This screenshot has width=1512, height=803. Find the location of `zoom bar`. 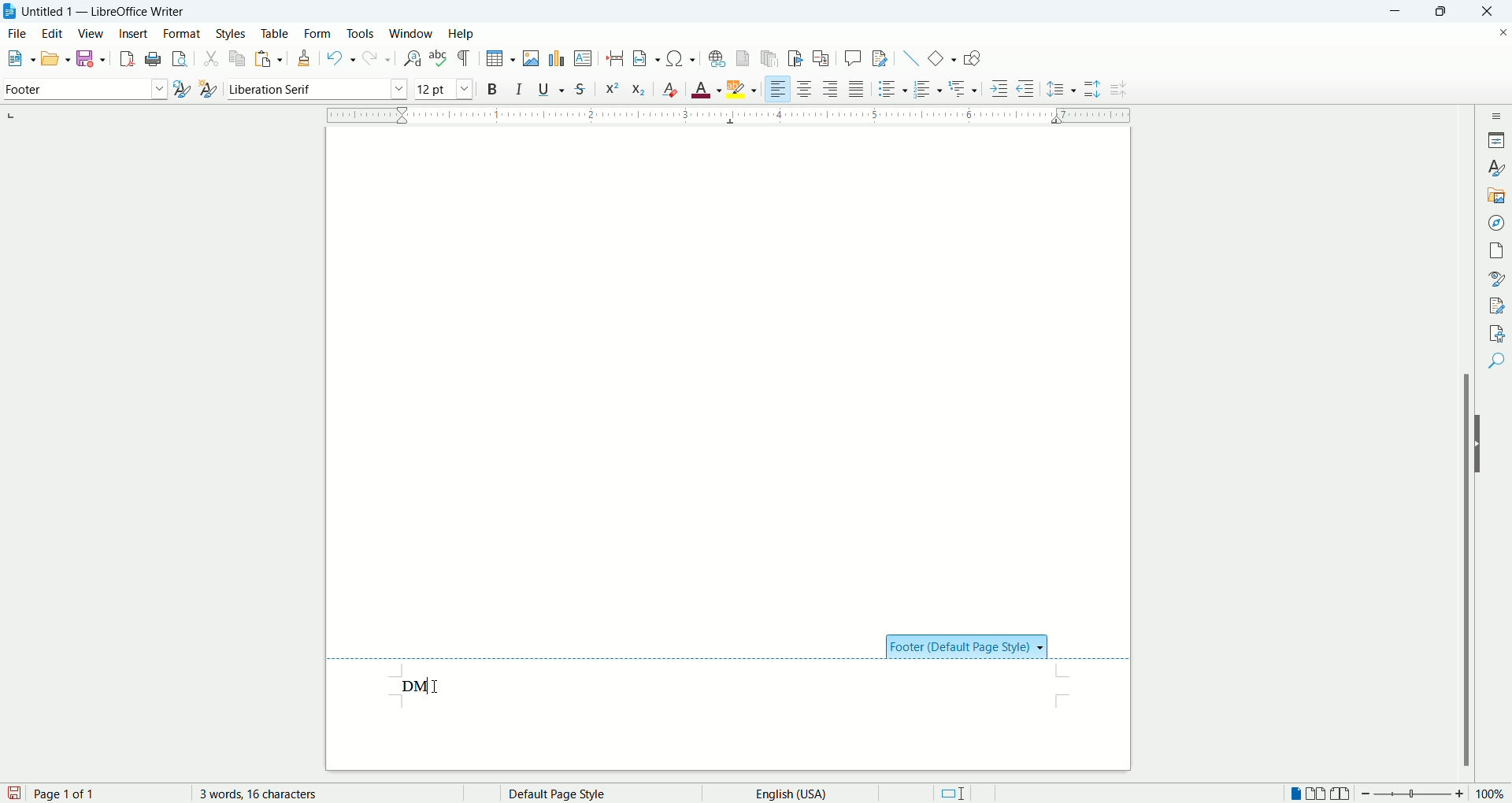

zoom bar is located at coordinates (1412, 794).